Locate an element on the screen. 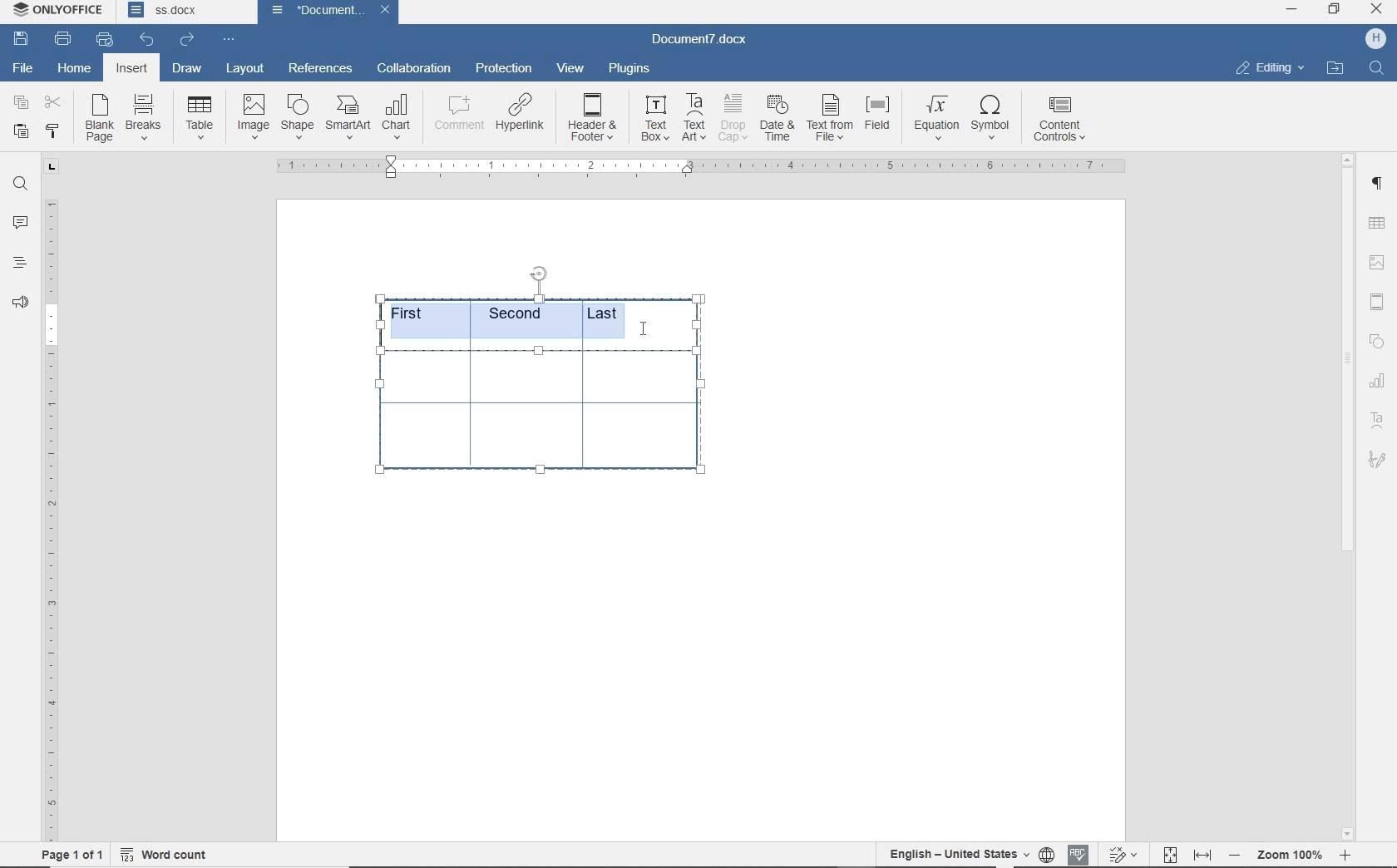 The height and width of the screenshot is (868, 1397). find is located at coordinates (20, 184).